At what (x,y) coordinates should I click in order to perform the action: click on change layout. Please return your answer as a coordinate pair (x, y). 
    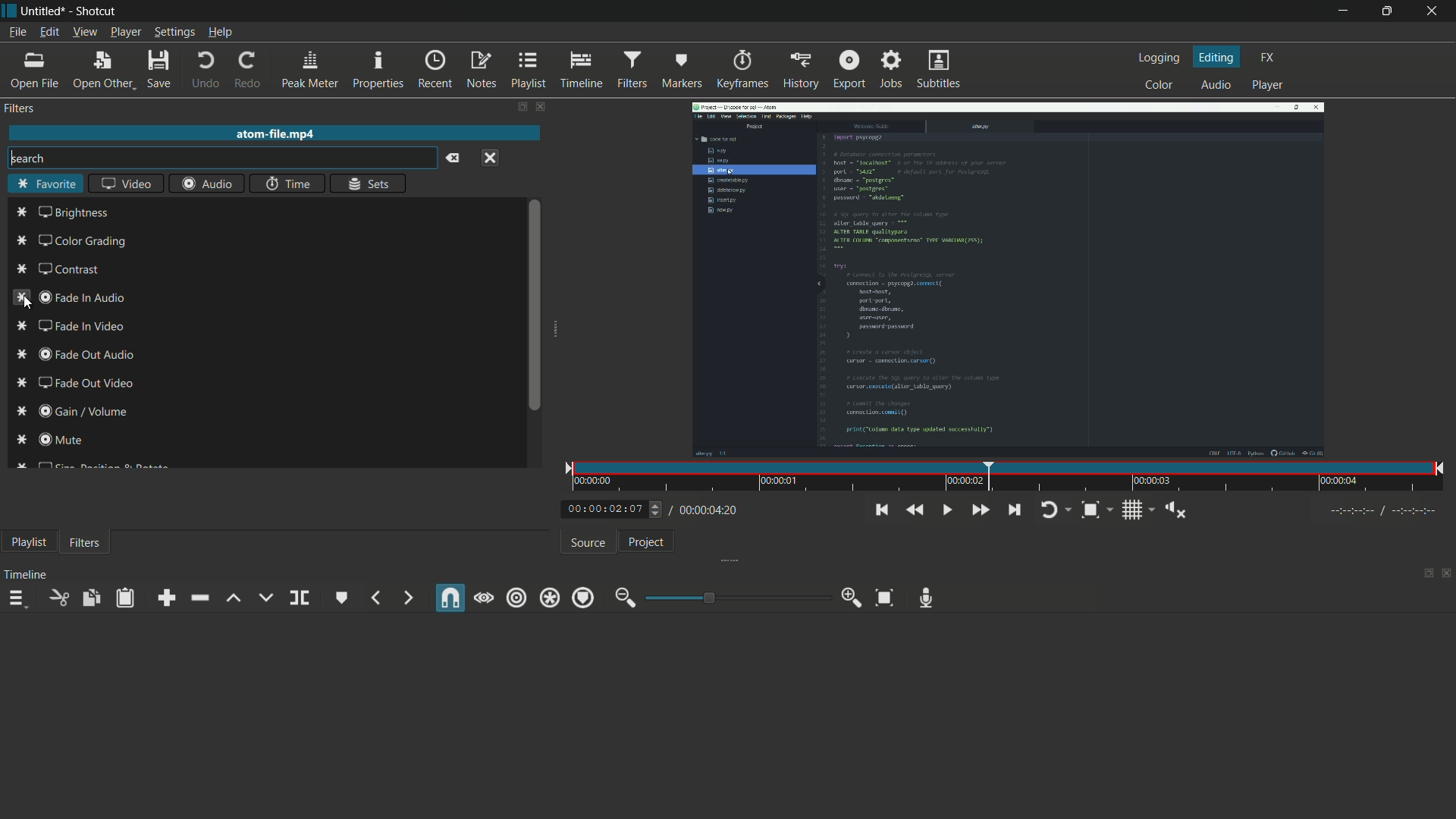
    Looking at the image, I should click on (1423, 574).